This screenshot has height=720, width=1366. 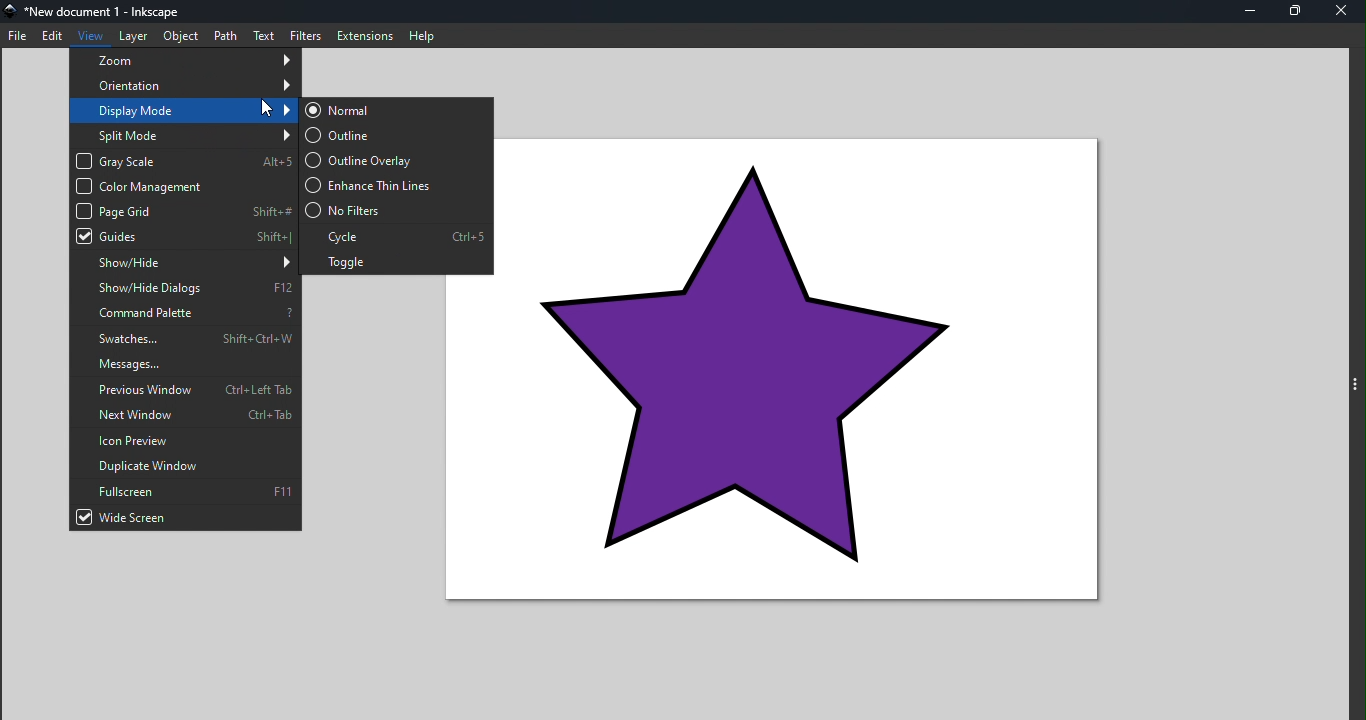 What do you see at coordinates (267, 109) in the screenshot?
I see `mouse pointer` at bounding box center [267, 109].